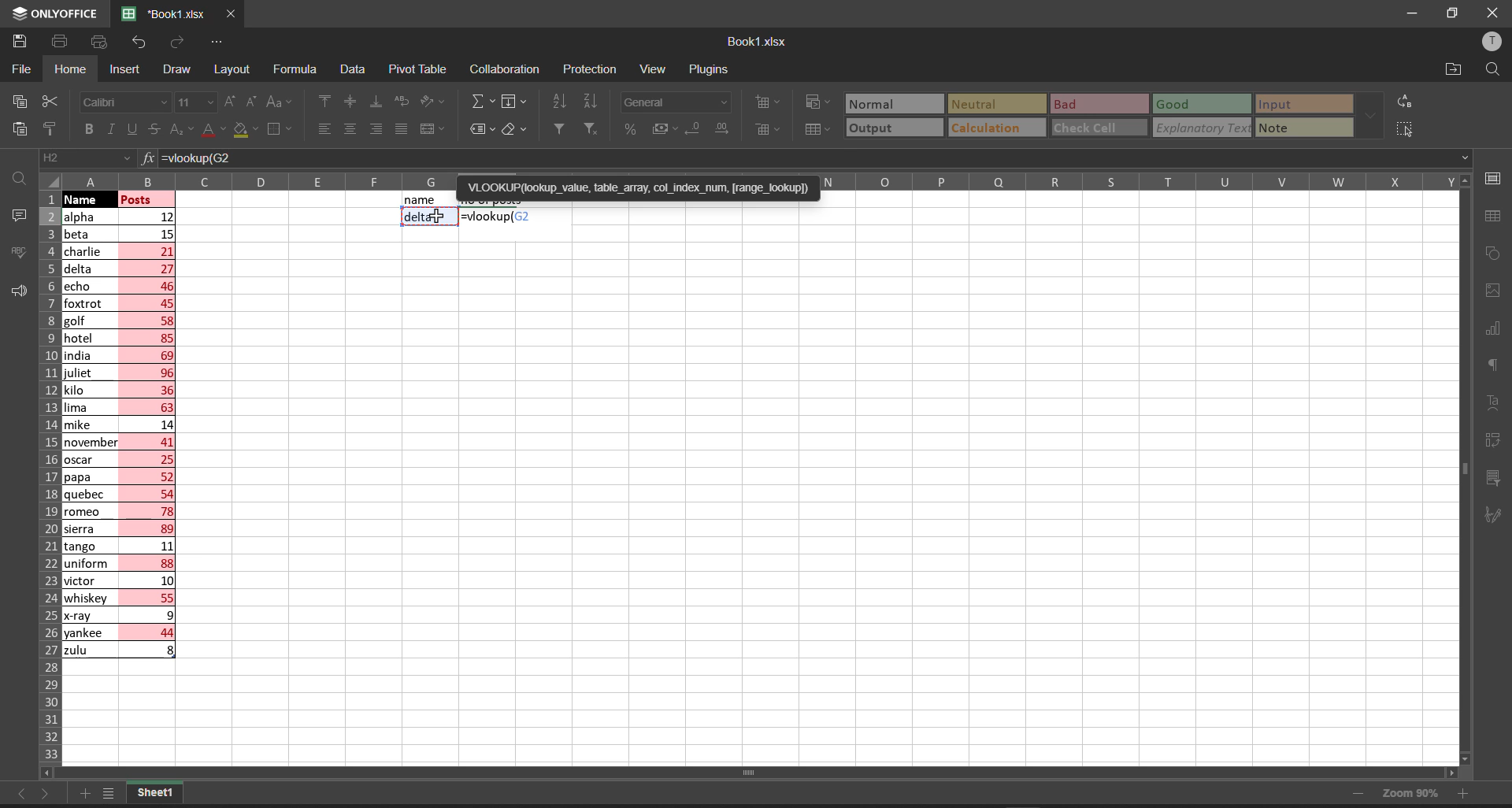 The image size is (1512, 808). Describe the element at coordinates (1369, 112) in the screenshot. I see `data font additional options` at that location.